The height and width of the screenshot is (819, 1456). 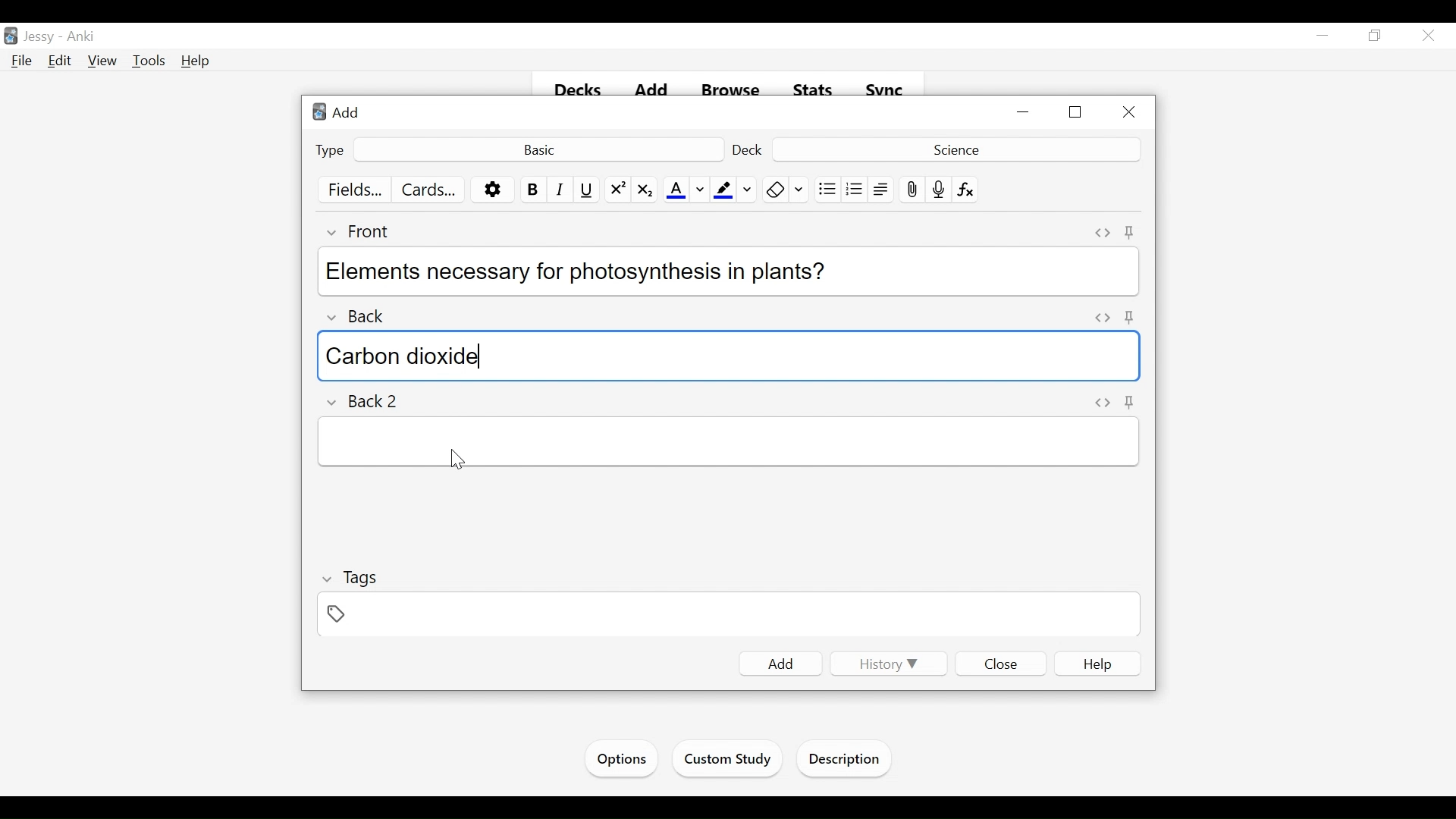 I want to click on Toggle Sticky, so click(x=1128, y=318).